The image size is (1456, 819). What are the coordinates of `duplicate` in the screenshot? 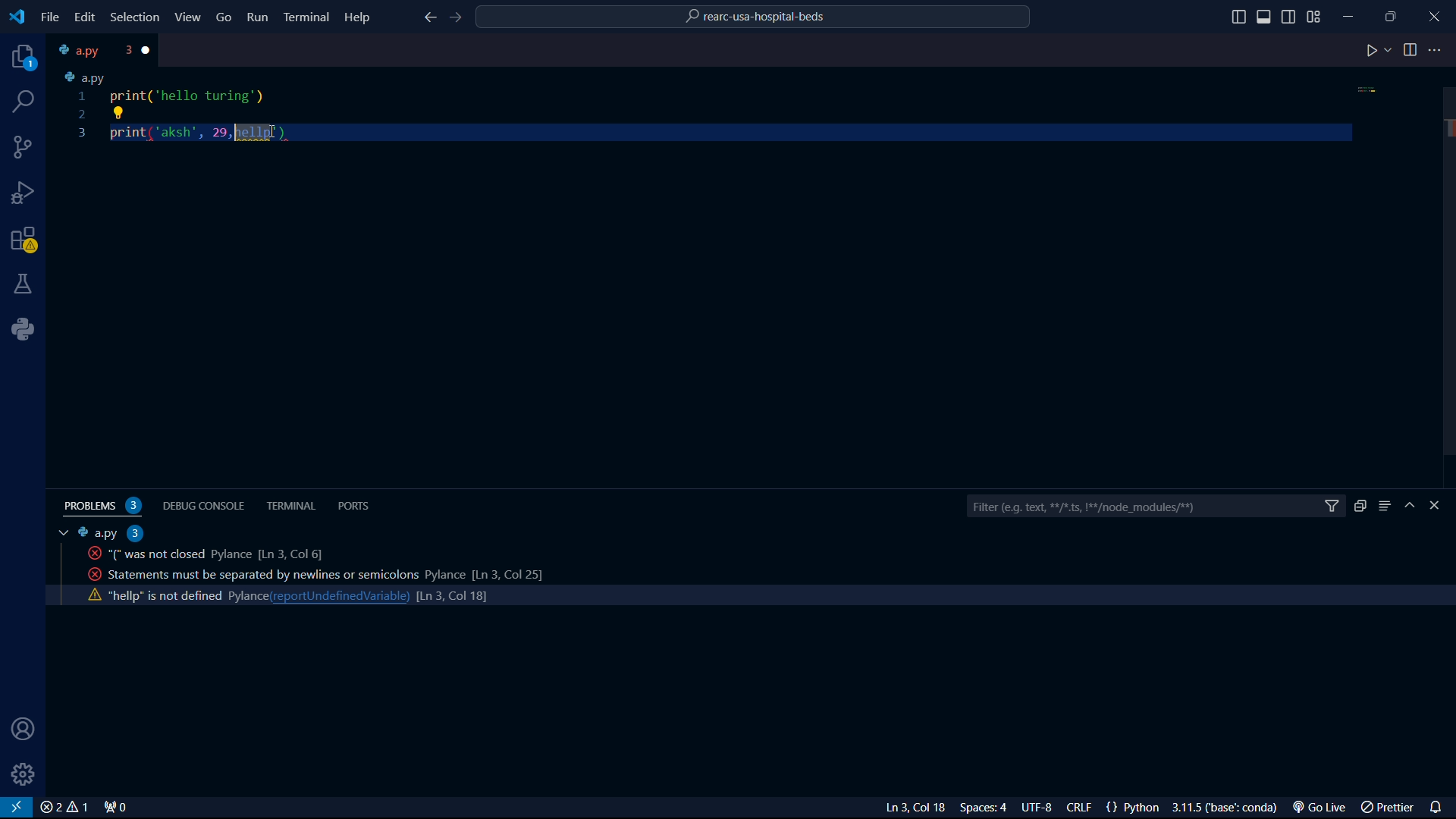 It's located at (1360, 506).